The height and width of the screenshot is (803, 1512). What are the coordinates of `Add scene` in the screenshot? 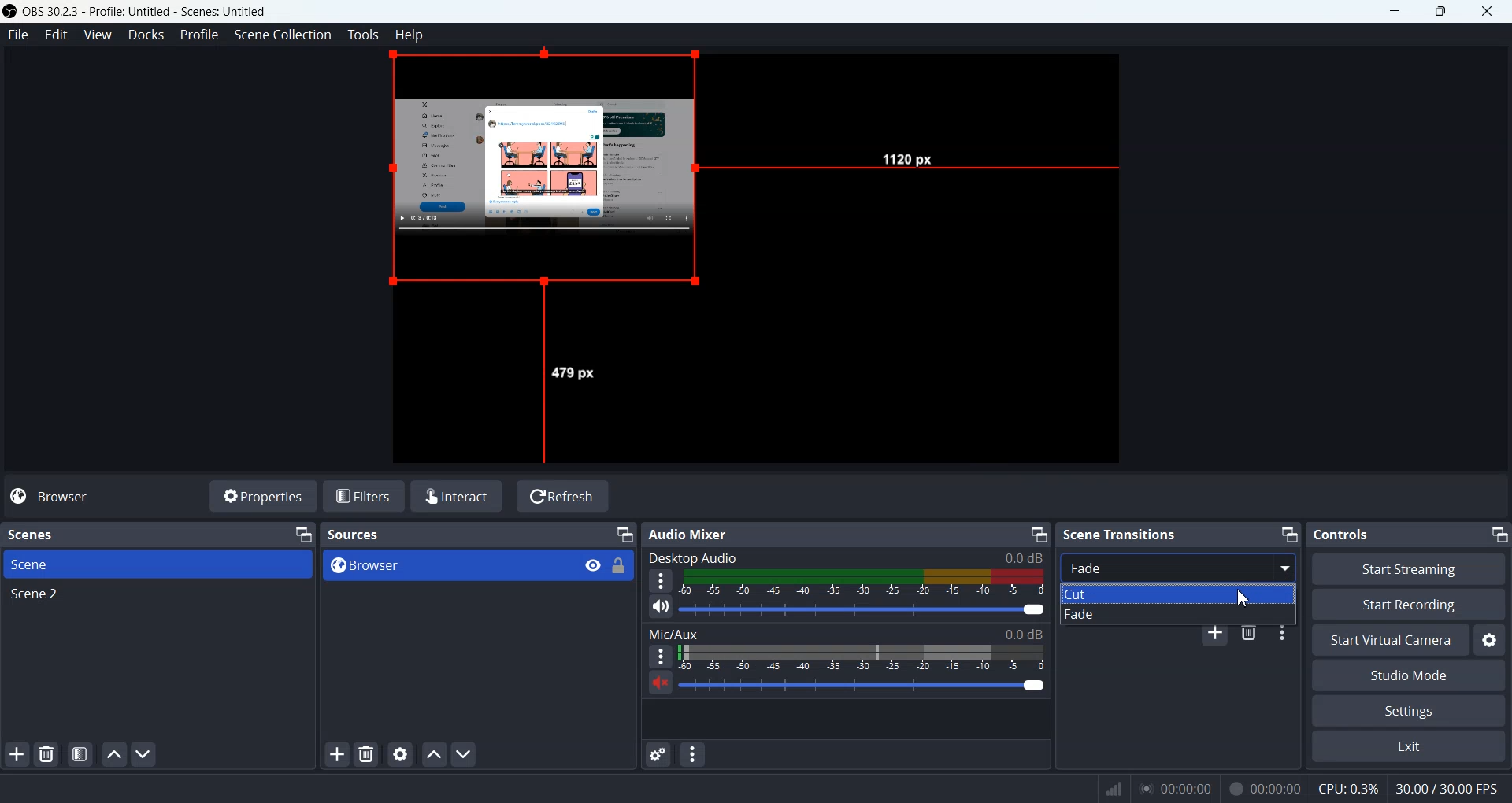 It's located at (17, 754).